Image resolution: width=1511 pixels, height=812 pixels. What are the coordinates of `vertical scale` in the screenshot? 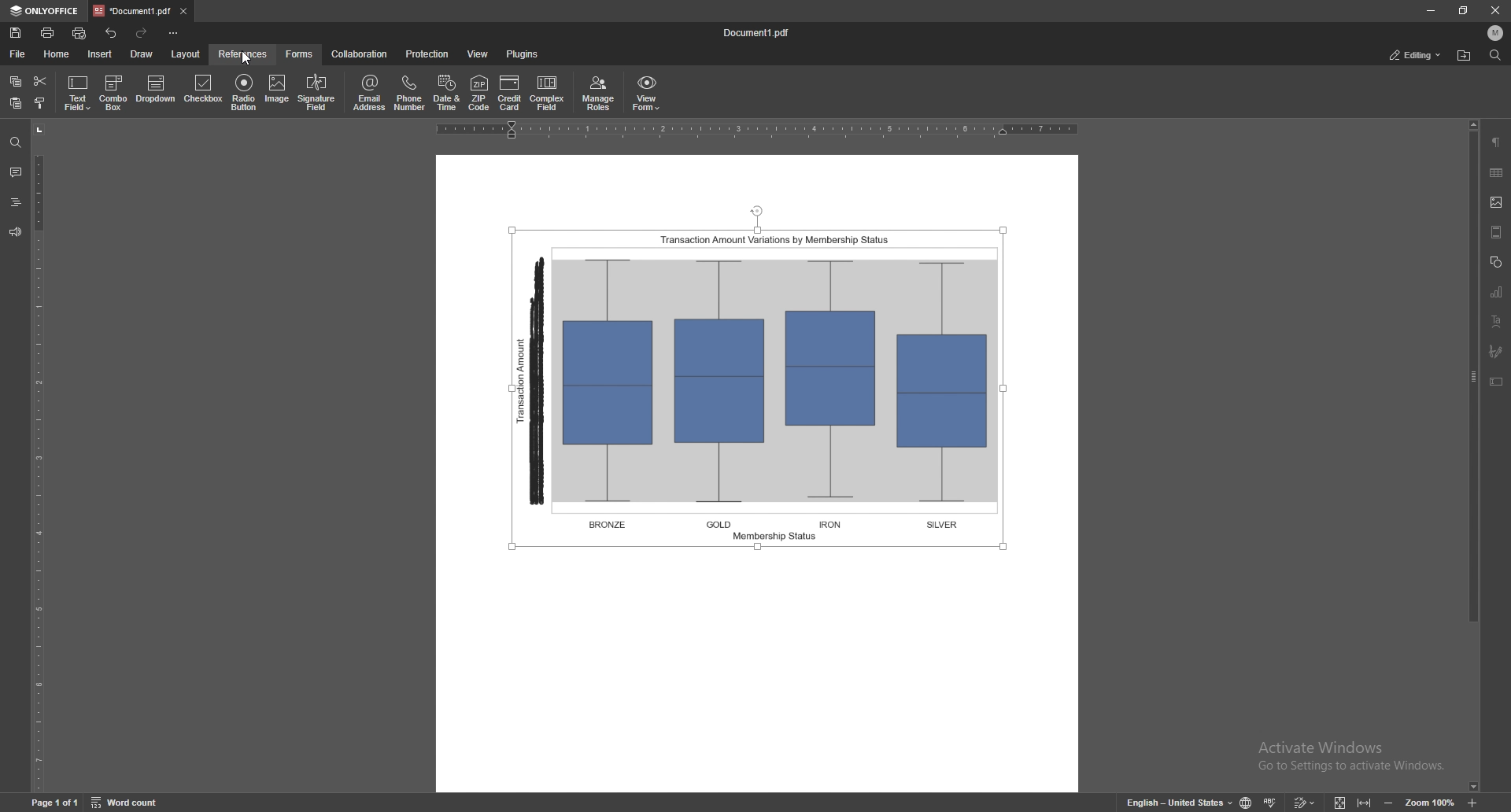 It's located at (45, 457).